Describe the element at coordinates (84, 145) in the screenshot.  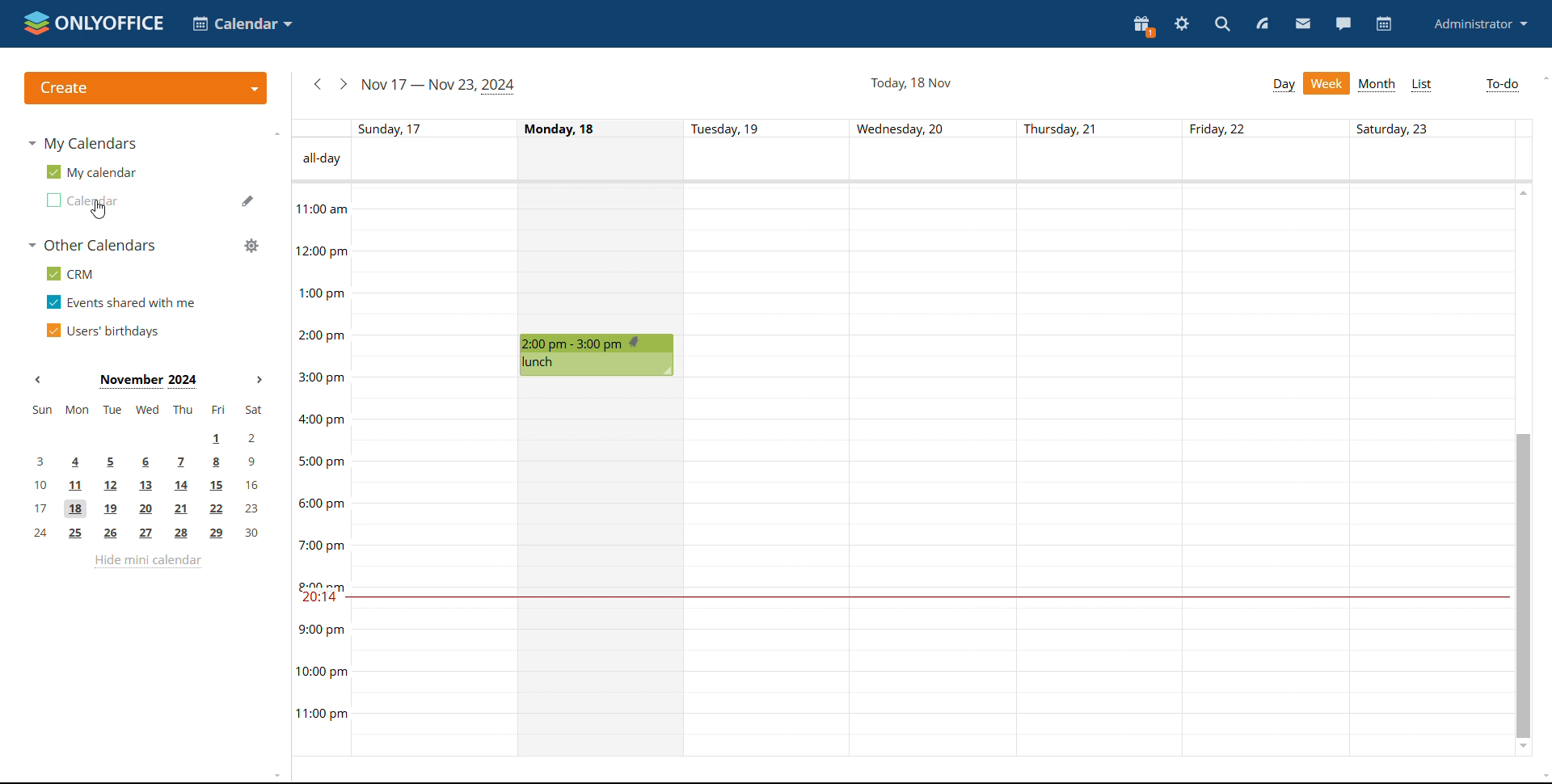
I see `my calendars` at that location.